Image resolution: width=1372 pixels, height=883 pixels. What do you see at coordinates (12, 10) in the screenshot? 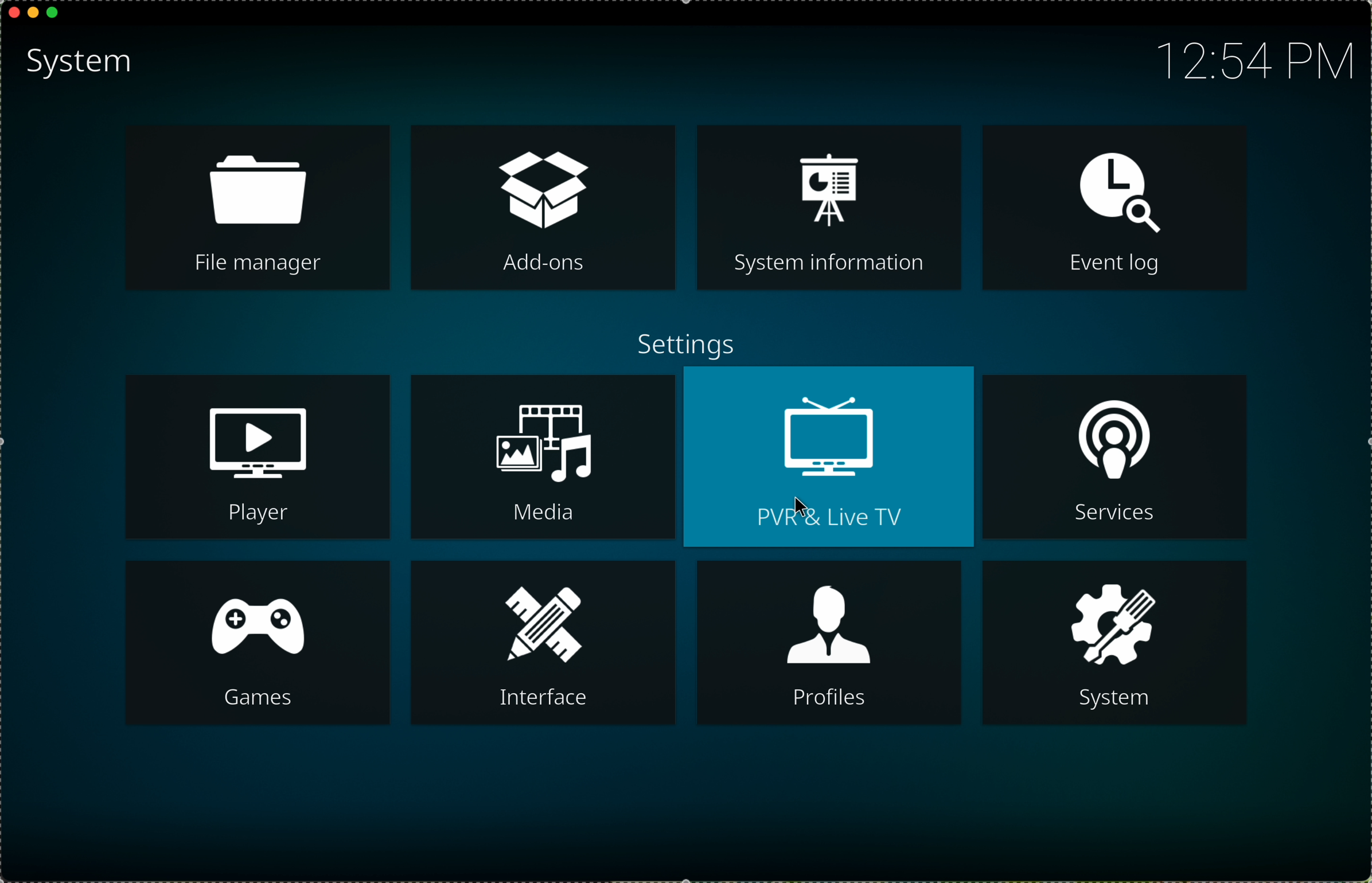
I see `close app` at bounding box center [12, 10].